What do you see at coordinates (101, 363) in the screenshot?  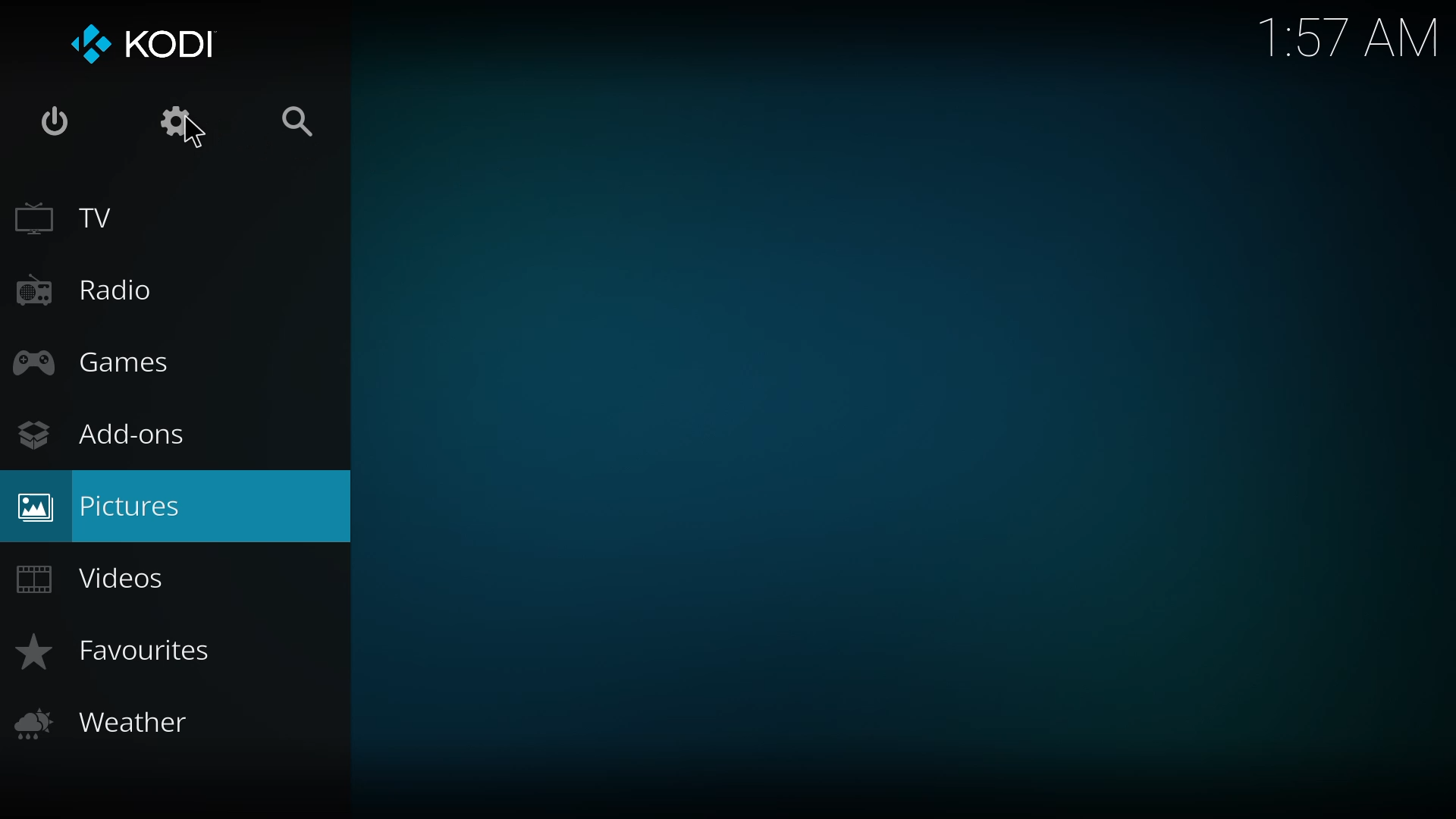 I see `games` at bounding box center [101, 363].